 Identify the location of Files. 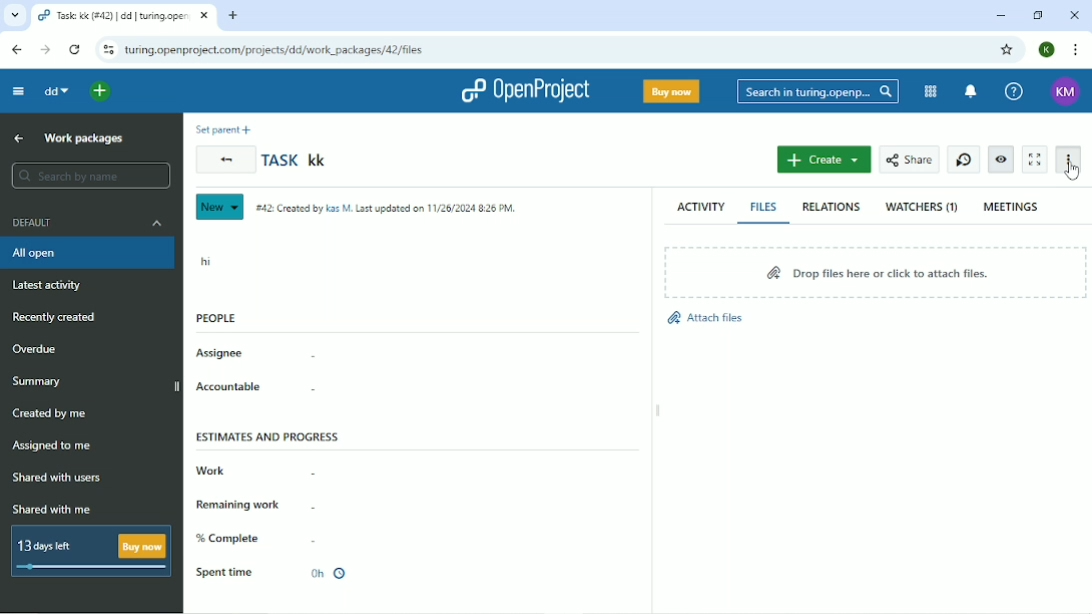
(765, 208).